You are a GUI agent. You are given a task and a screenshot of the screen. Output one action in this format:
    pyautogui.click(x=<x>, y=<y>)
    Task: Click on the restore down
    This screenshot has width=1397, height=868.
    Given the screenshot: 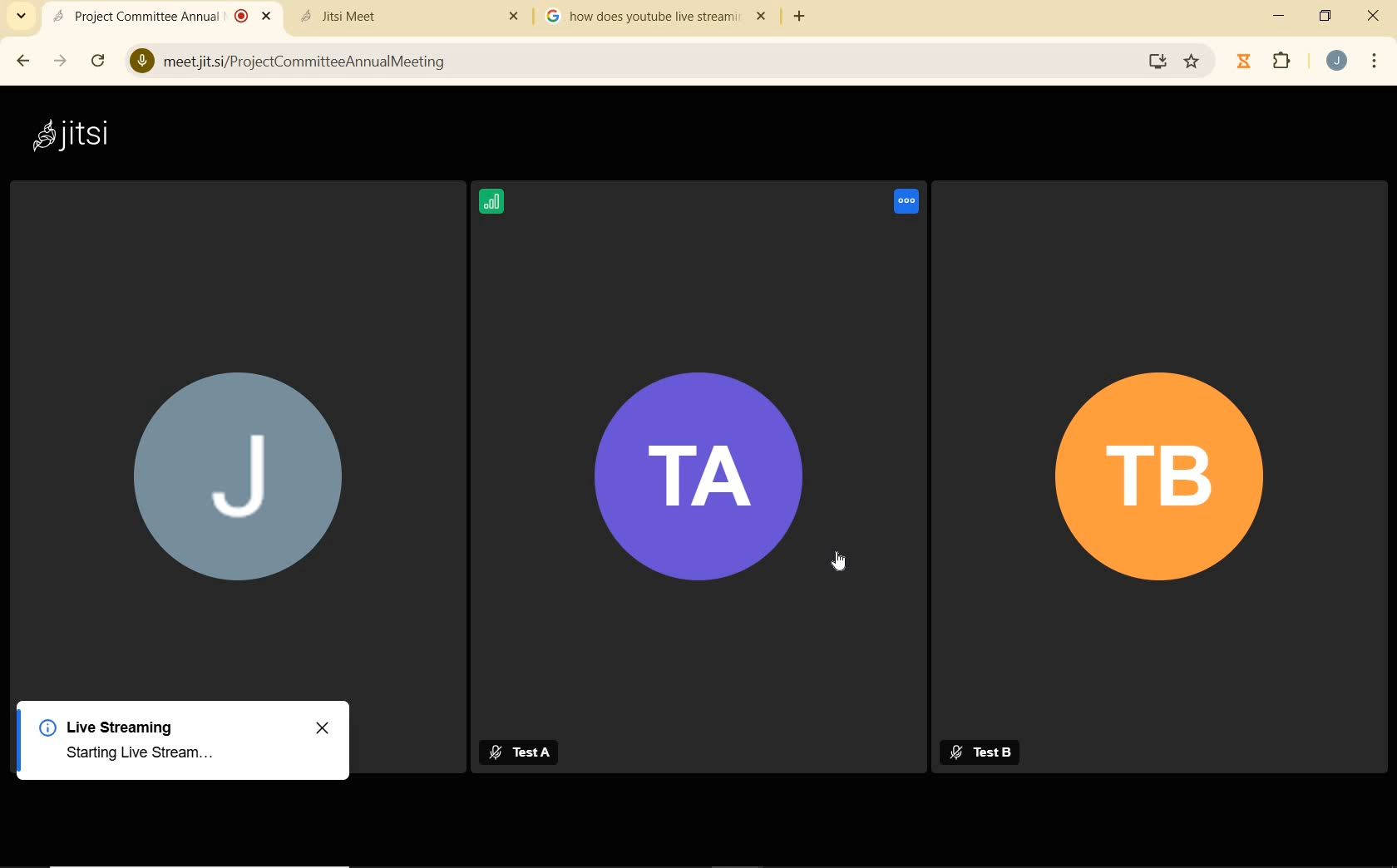 What is the action you would take?
    pyautogui.click(x=1327, y=17)
    